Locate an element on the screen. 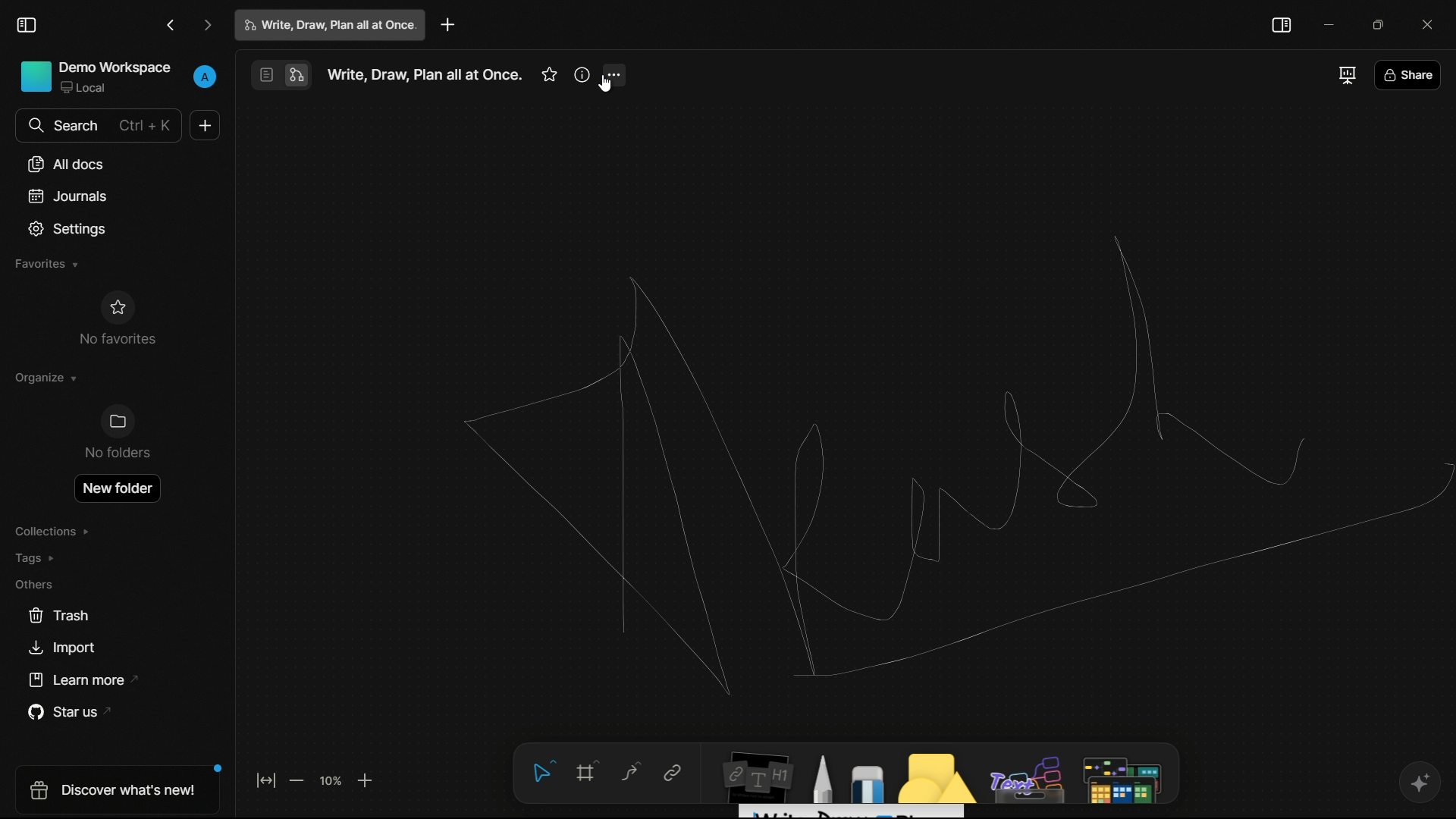 This screenshot has height=819, width=1456. Icon is located at coordinates (119, 422).